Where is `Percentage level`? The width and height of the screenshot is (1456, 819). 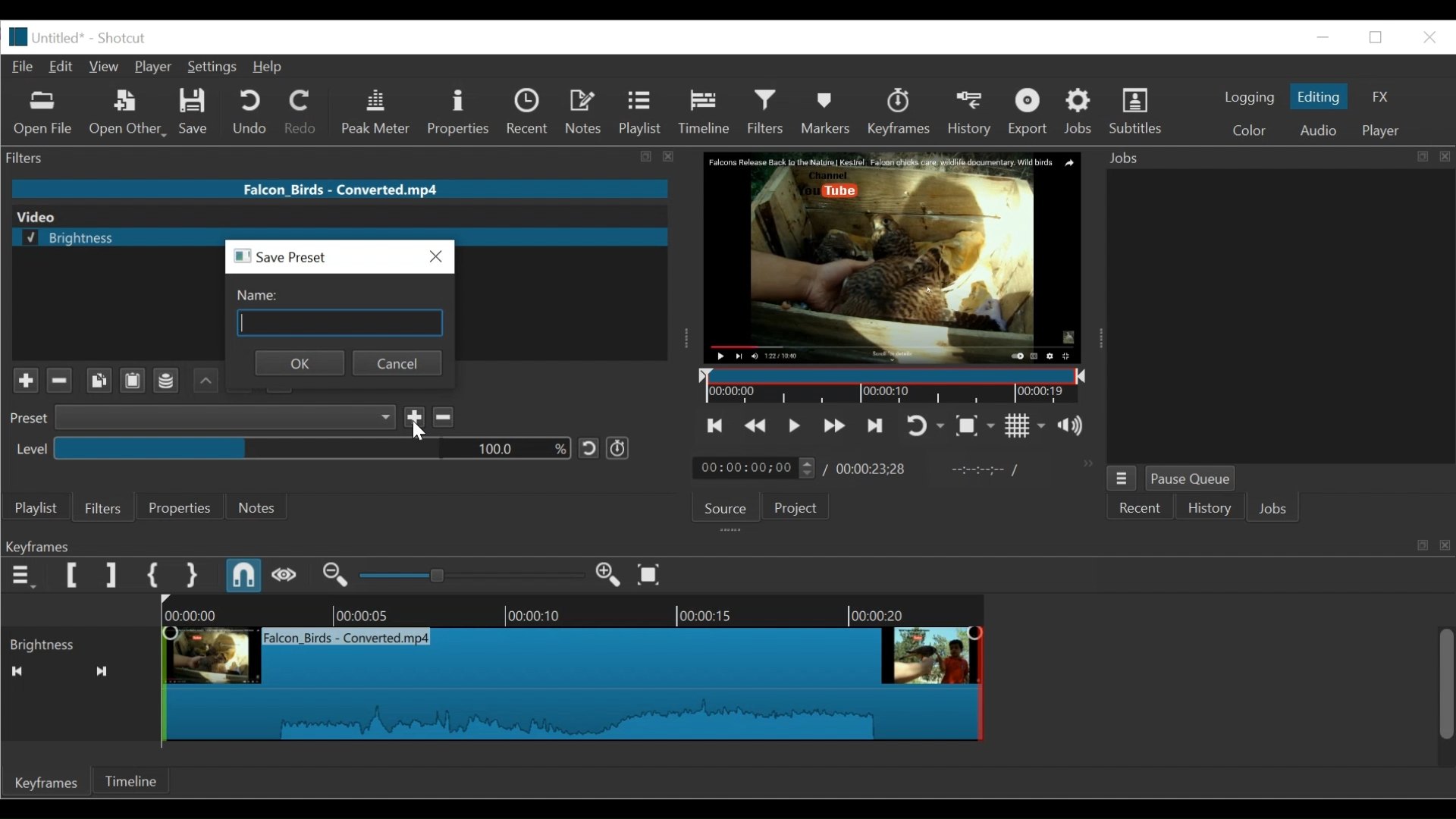
Percentage level is located at coordinates (311, 447).